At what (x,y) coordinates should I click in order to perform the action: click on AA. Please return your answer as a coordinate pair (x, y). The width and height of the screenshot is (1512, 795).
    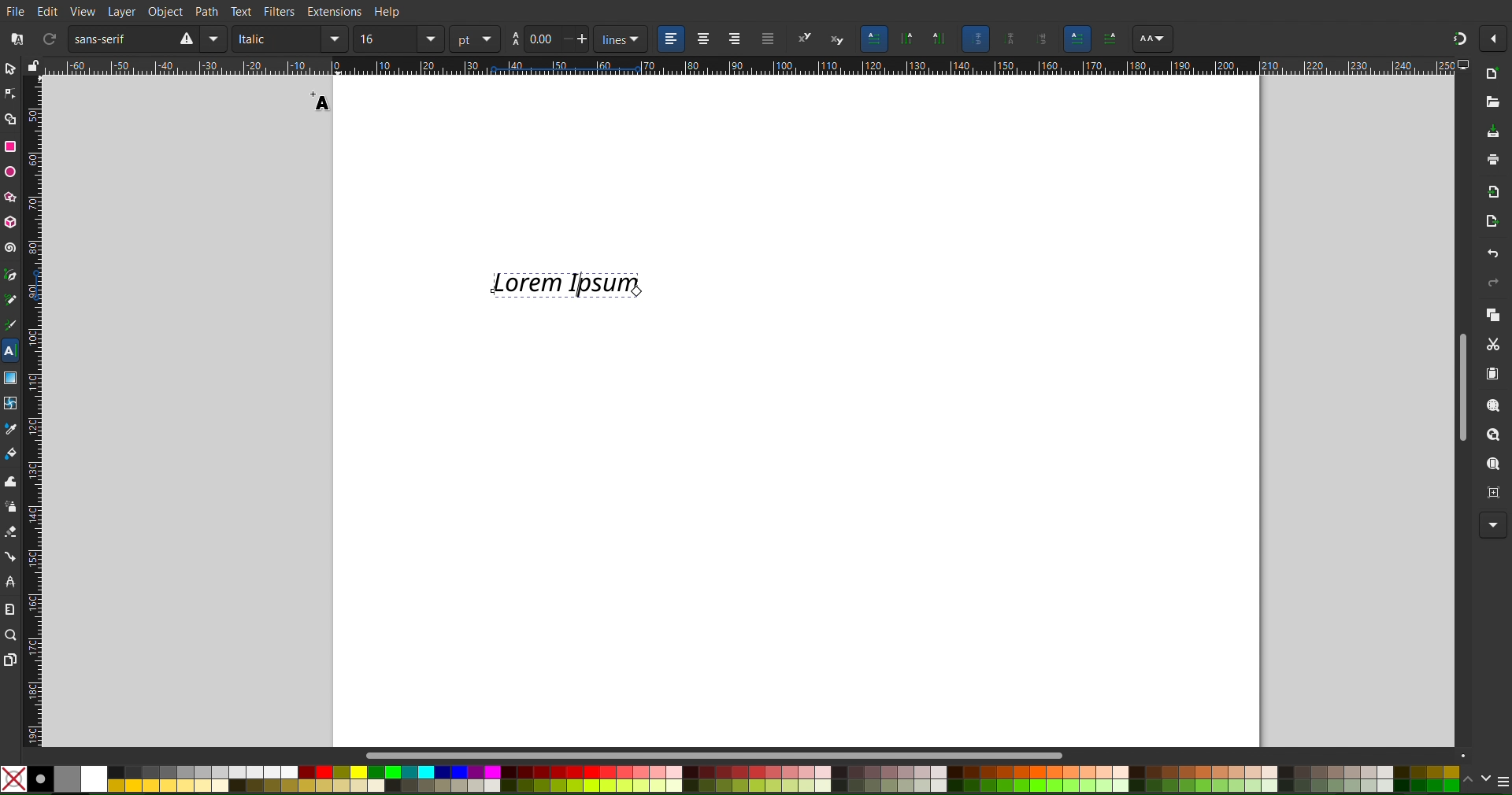
    Looking at the image, I should click on (1109, 39).